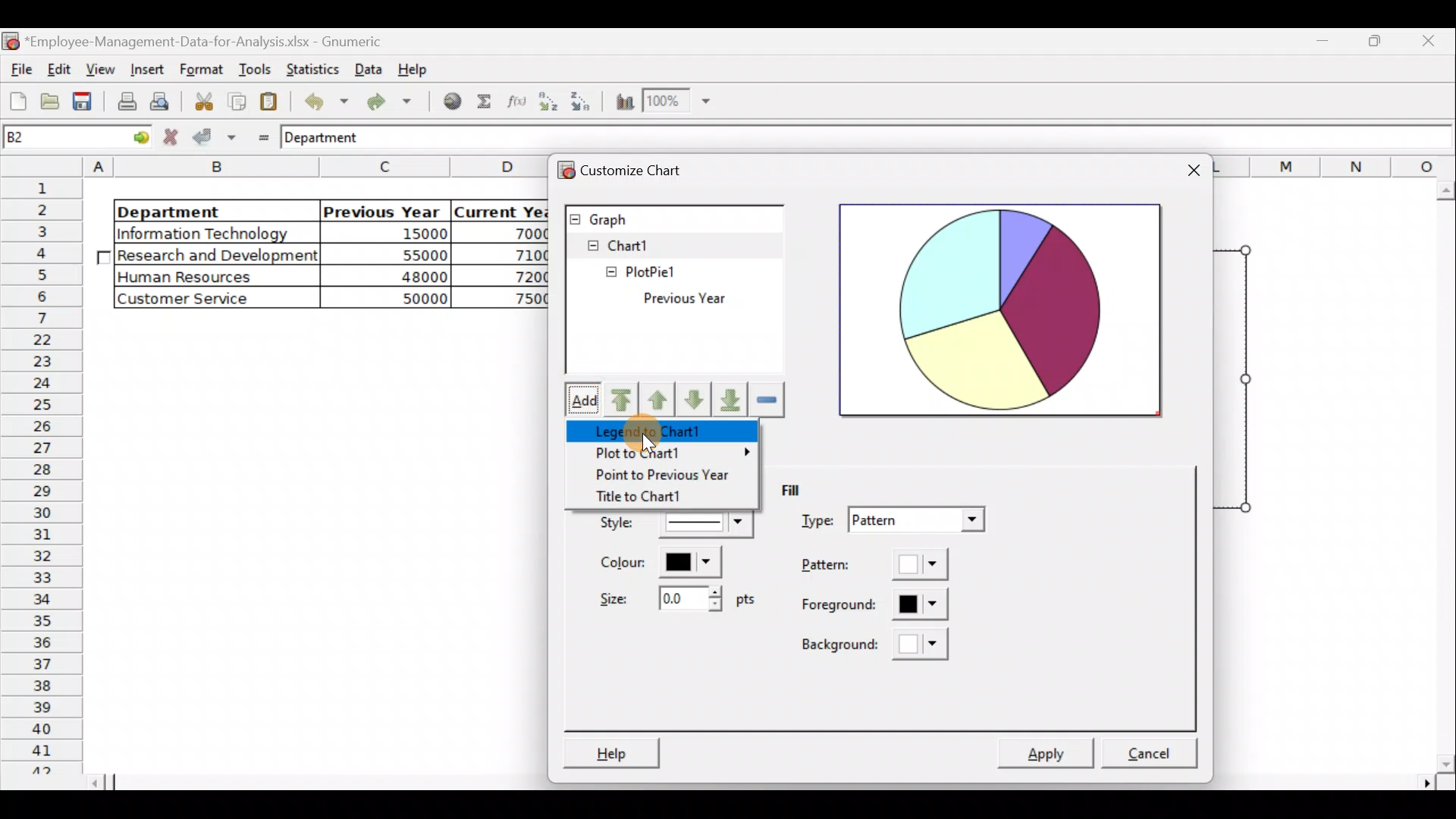 Image resolution: width=1456 pixels, height=819 pixels. What do you see at coordinates (11, 40) in the screenshot?
I see `Gnumeric logo` at bounding box center [11, 40].